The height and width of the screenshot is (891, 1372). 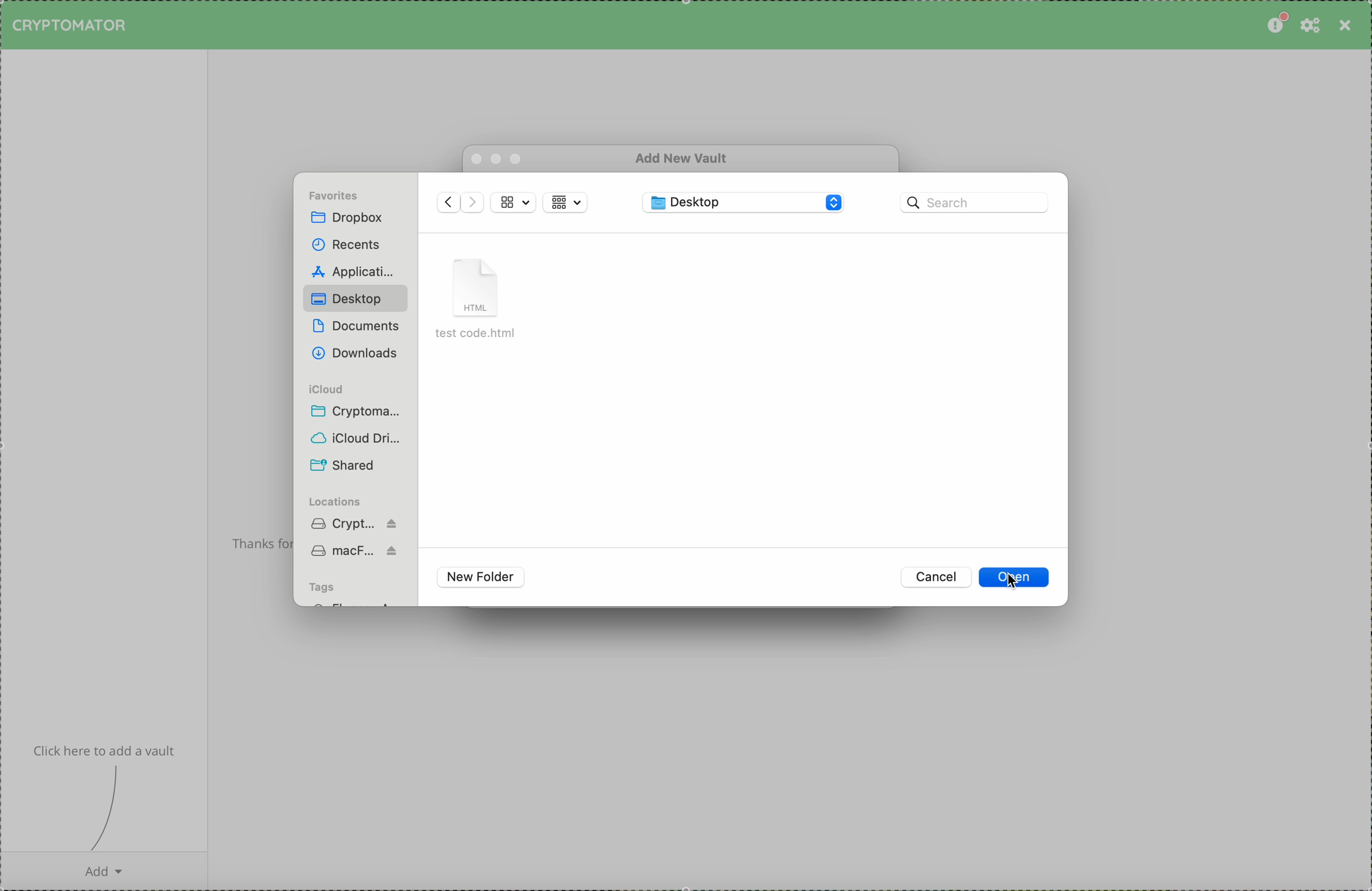 I want to click on shared, so click(x=353, y=467).